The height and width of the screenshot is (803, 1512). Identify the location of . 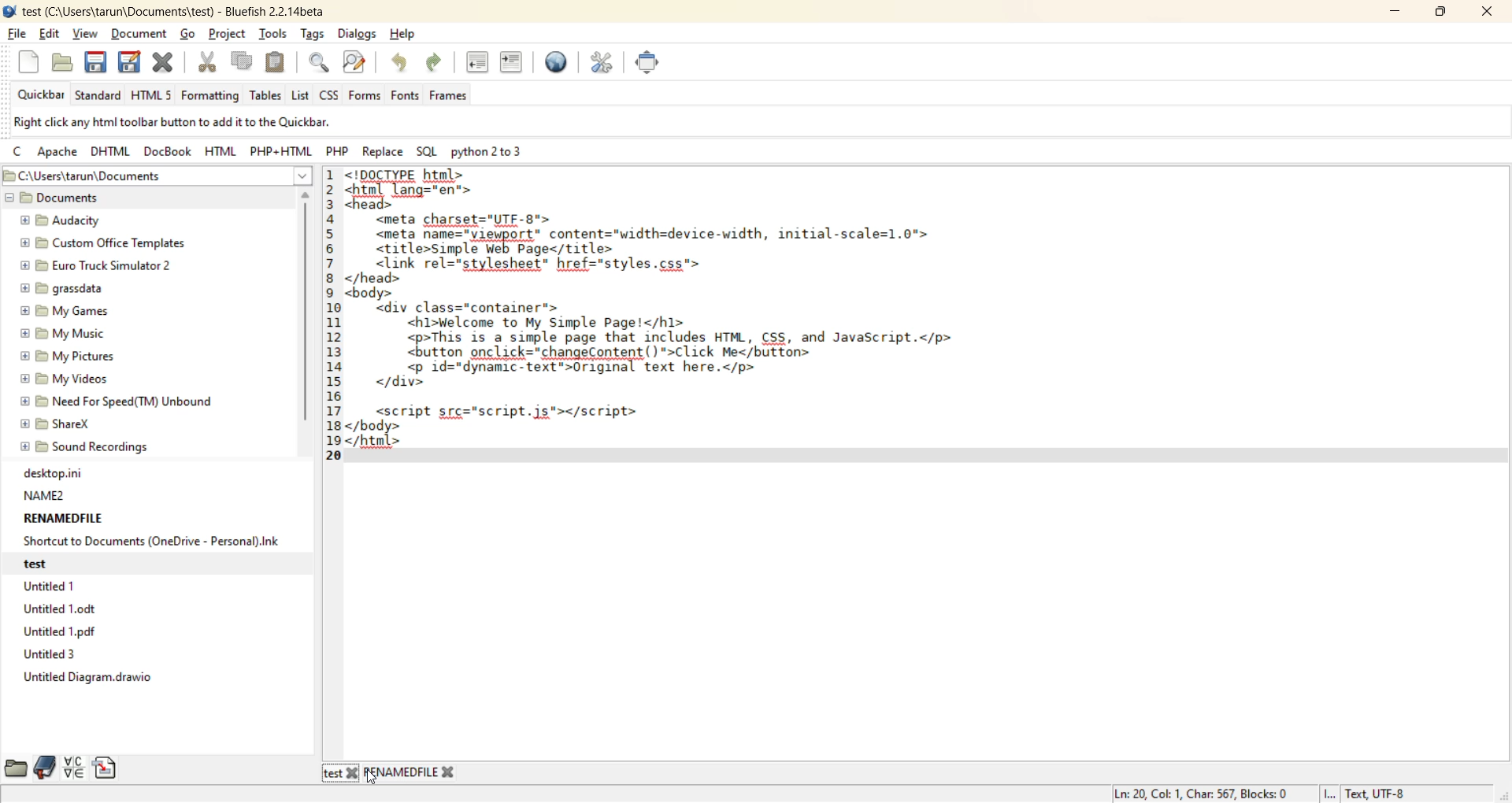
(447, 772).